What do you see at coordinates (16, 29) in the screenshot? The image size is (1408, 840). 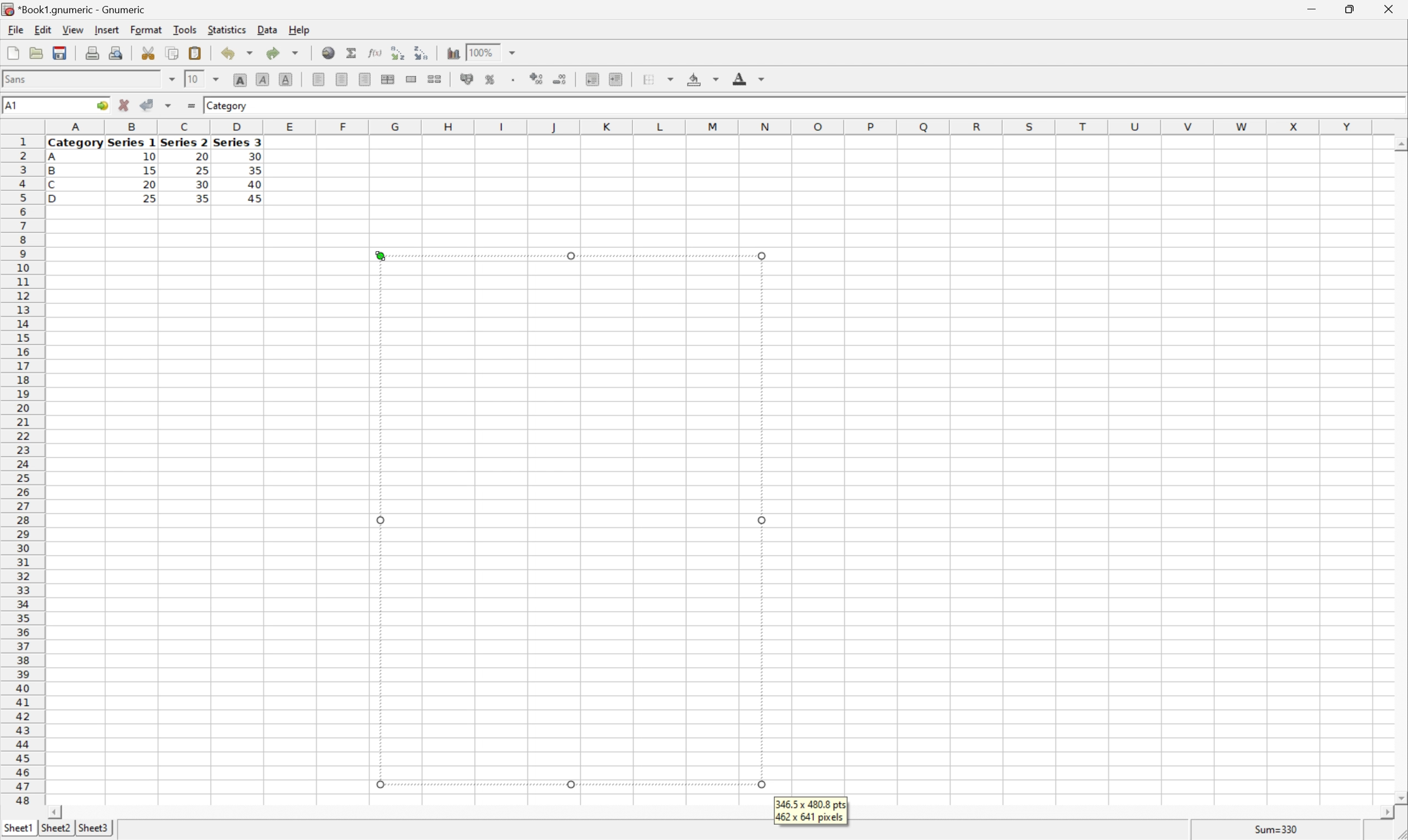 I see `File` at bounding box center [16, 29].